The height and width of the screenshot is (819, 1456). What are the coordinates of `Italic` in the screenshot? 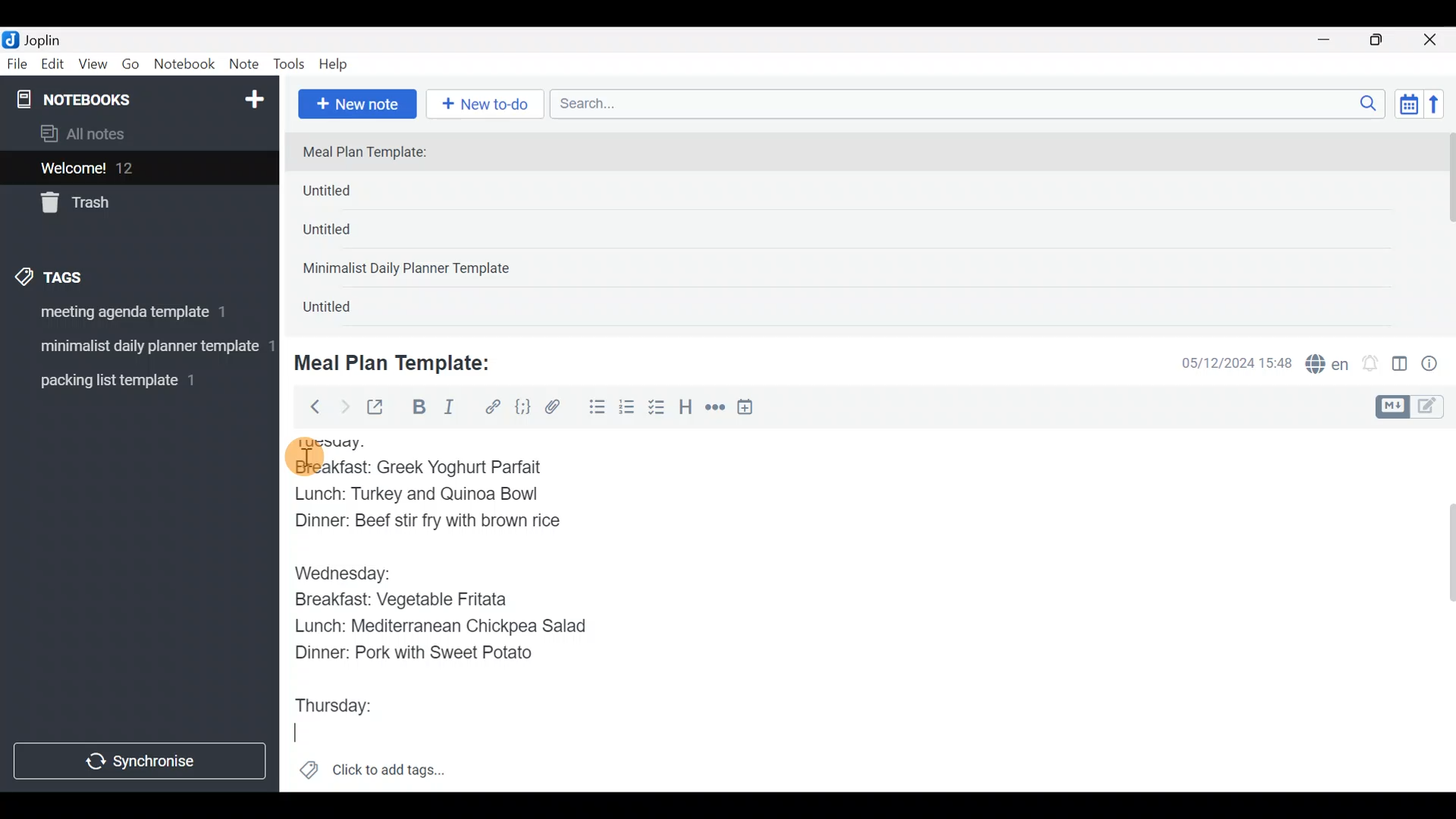 It's located at (447, 410).